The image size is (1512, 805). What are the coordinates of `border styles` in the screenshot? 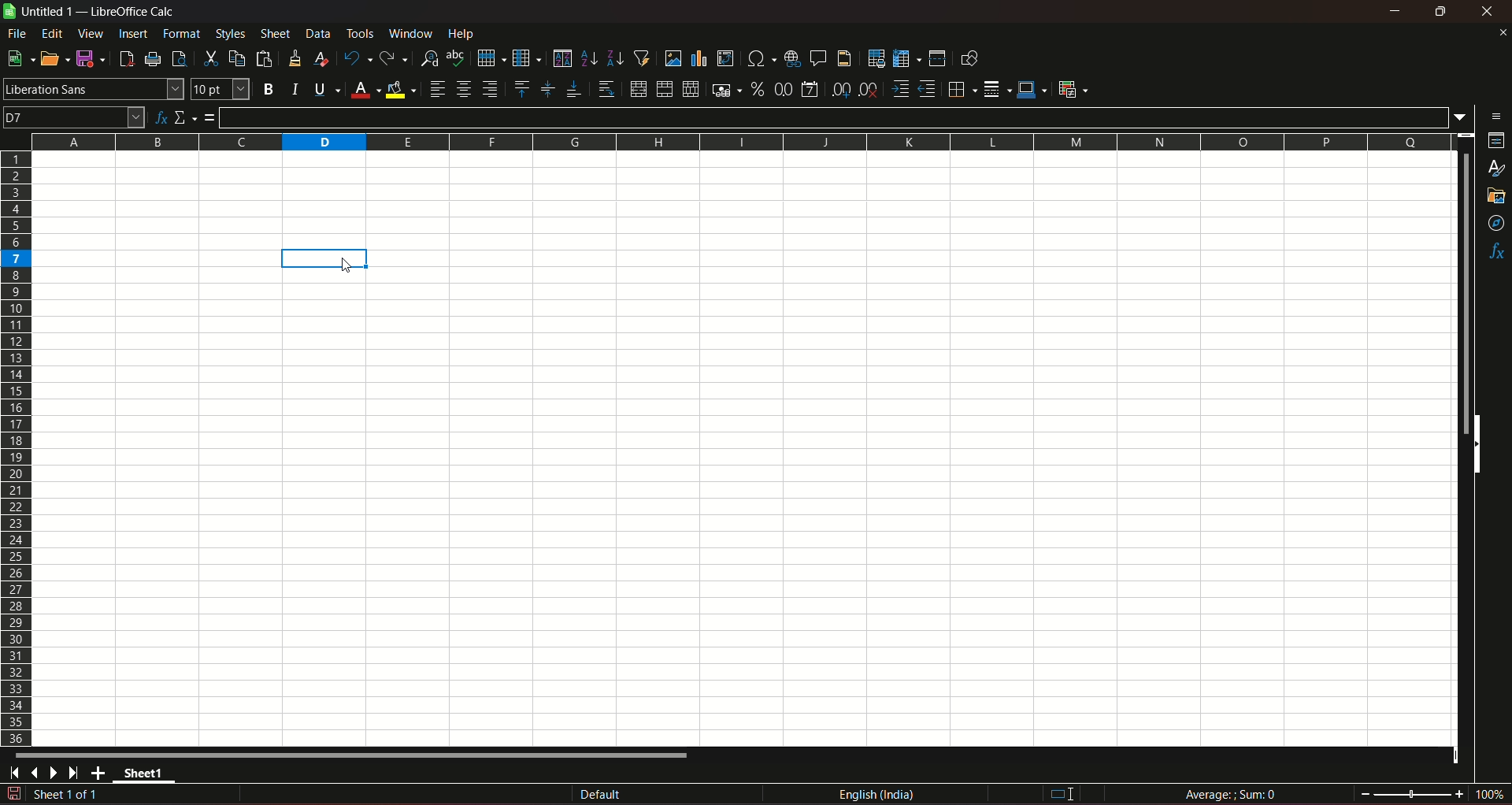 It's located at (995, 90).